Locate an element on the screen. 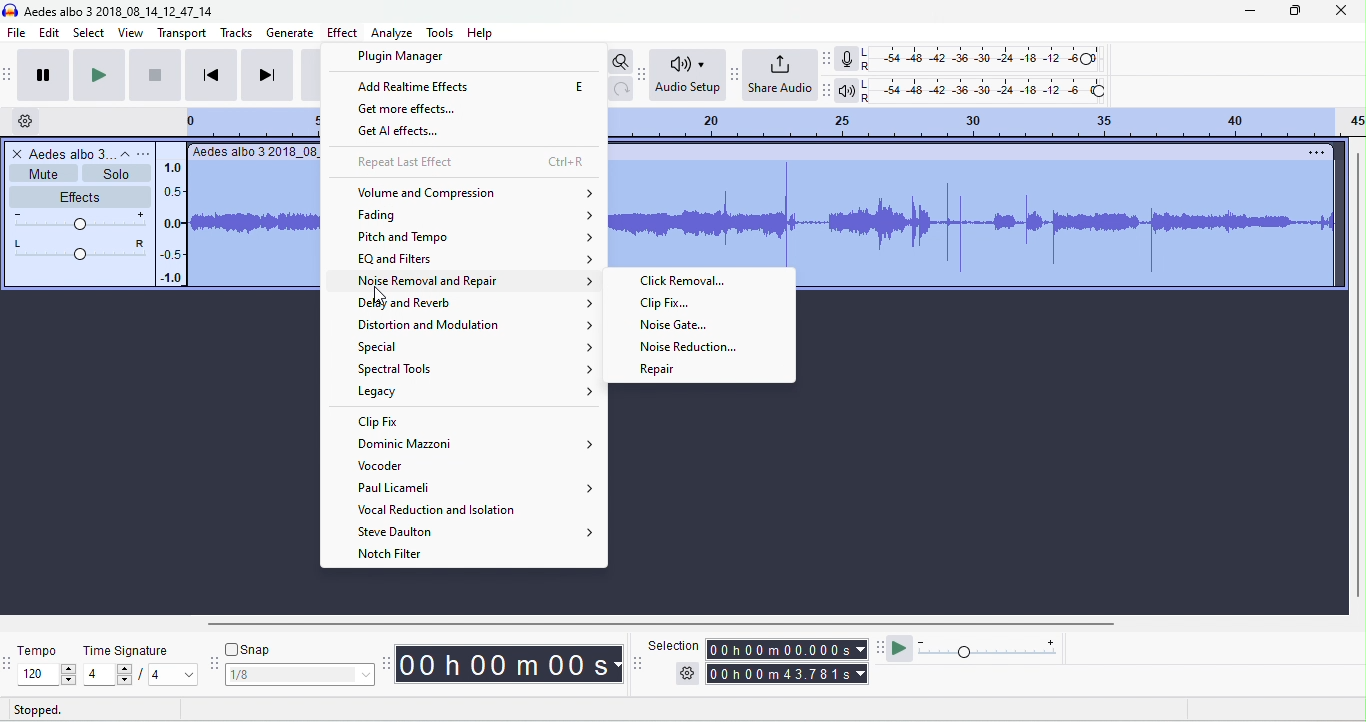  clip fix is located at coordinates (666, 303).